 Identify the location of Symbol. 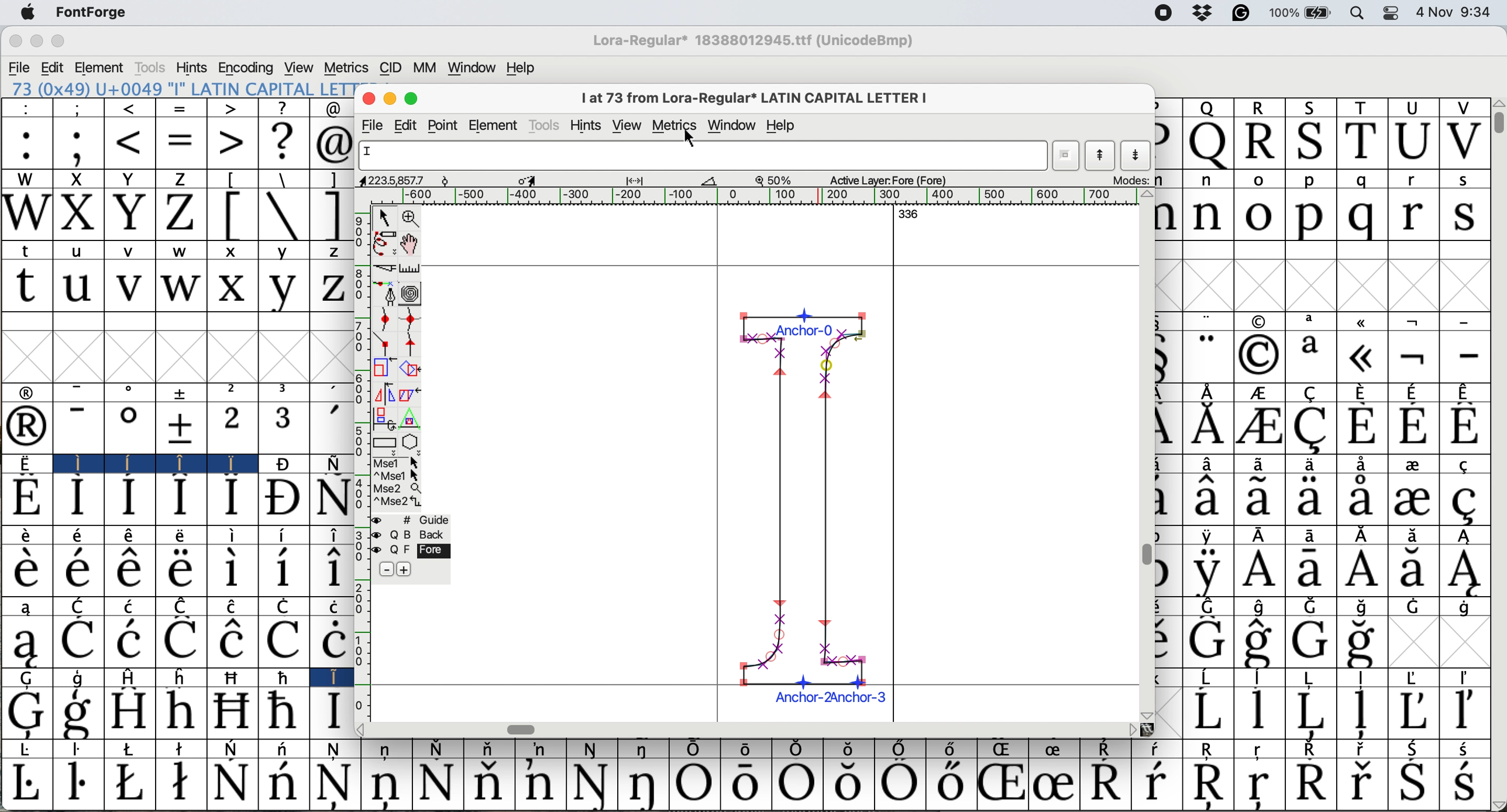
(1309, 712).